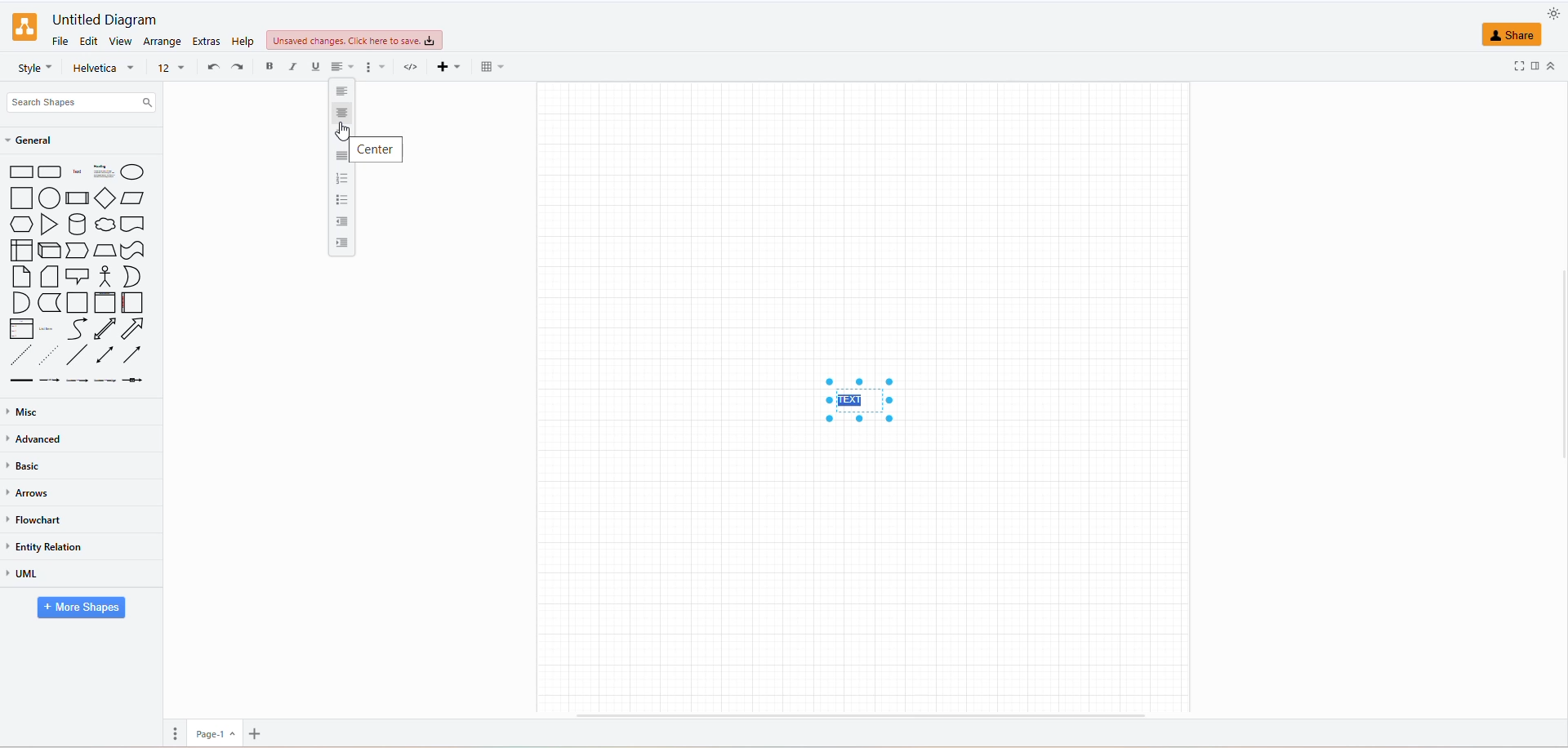 Image resolution: width=1568 pixels, height=748 pixels. What do you see at coordinates (1553, 65) in the screenshot?
I see `collapse` at bounding box center [1553, 65].